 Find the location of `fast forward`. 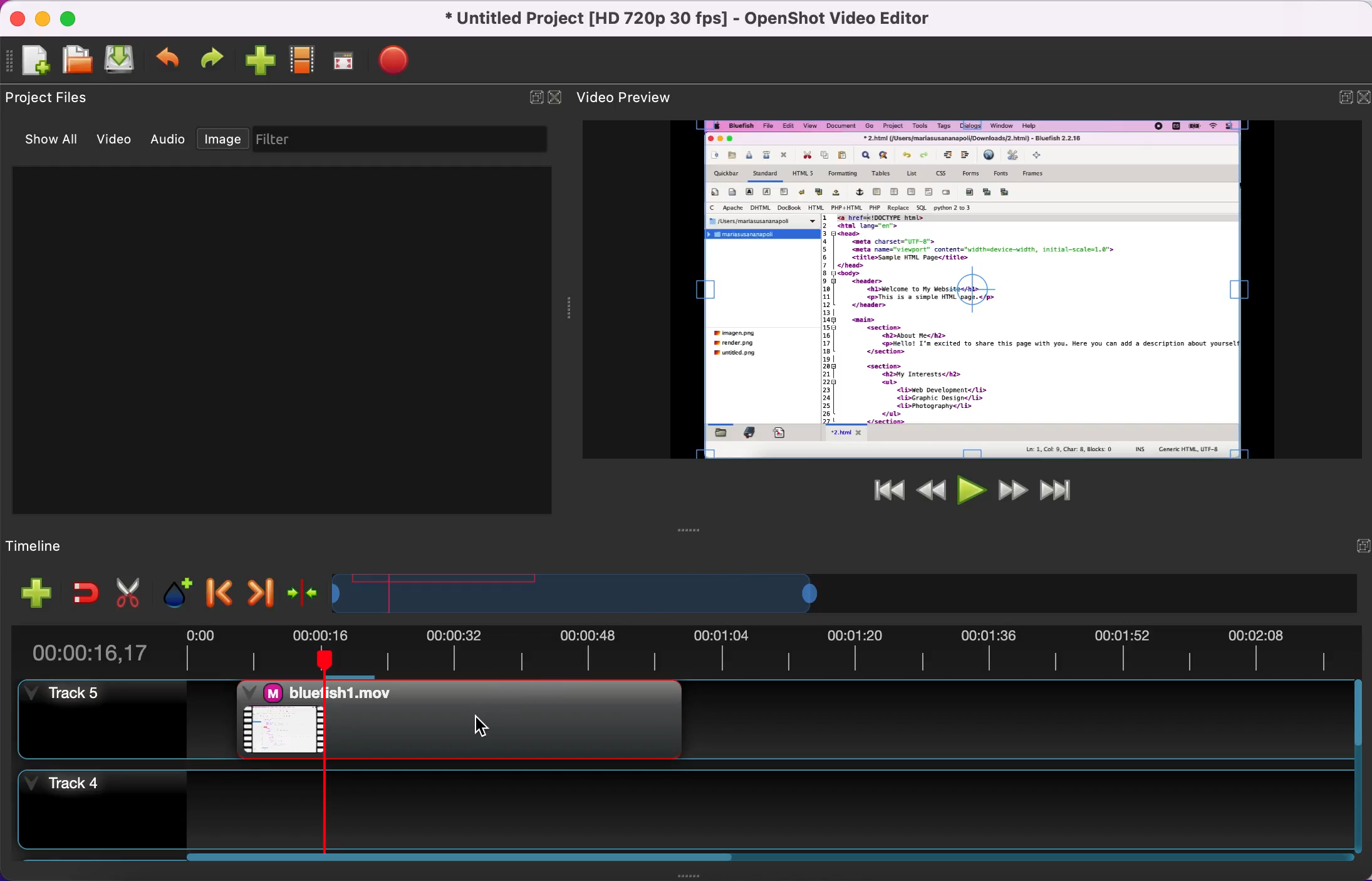

fast forward is located at coordinates (1009, 489).